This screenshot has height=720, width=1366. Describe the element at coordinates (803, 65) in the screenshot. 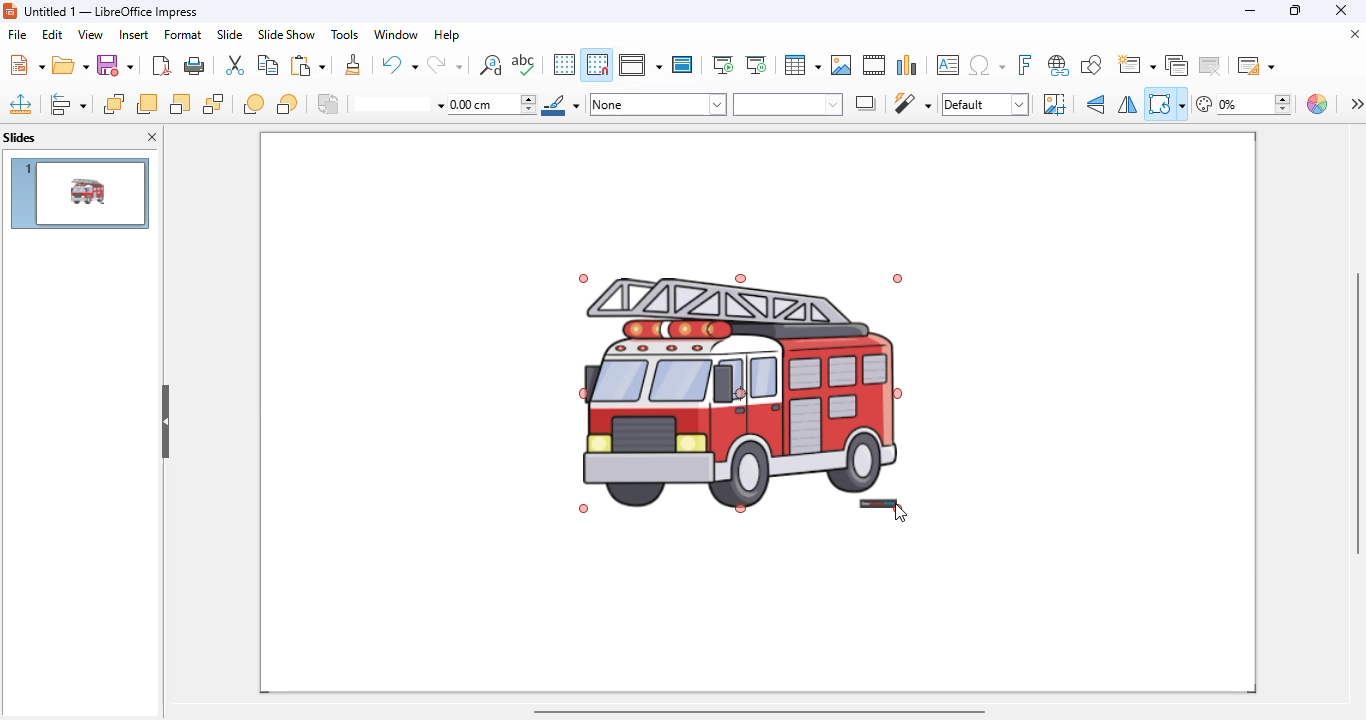

I see `table` at that location.